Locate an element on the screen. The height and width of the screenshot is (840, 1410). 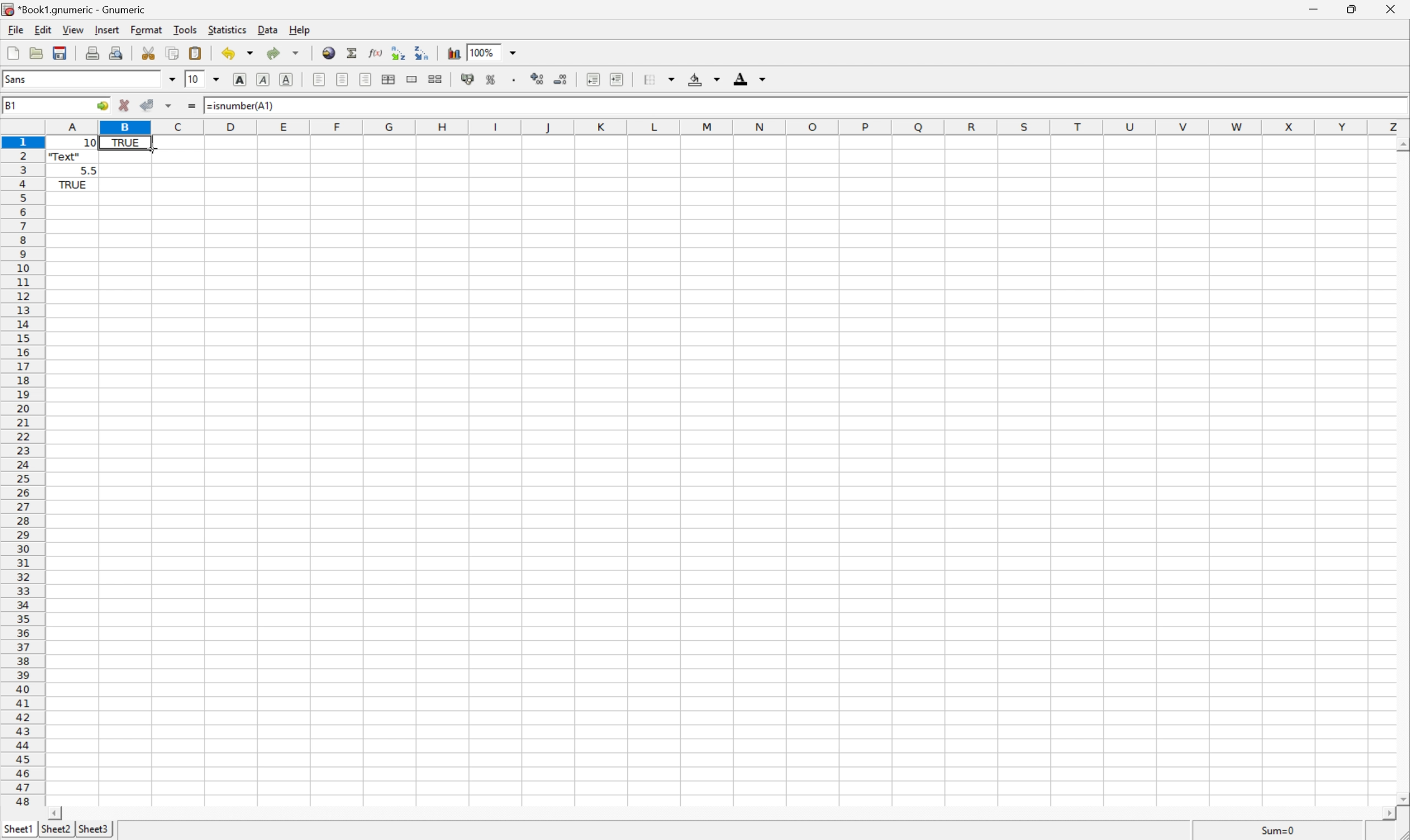
Open a file is located at coordinates (39, 54).